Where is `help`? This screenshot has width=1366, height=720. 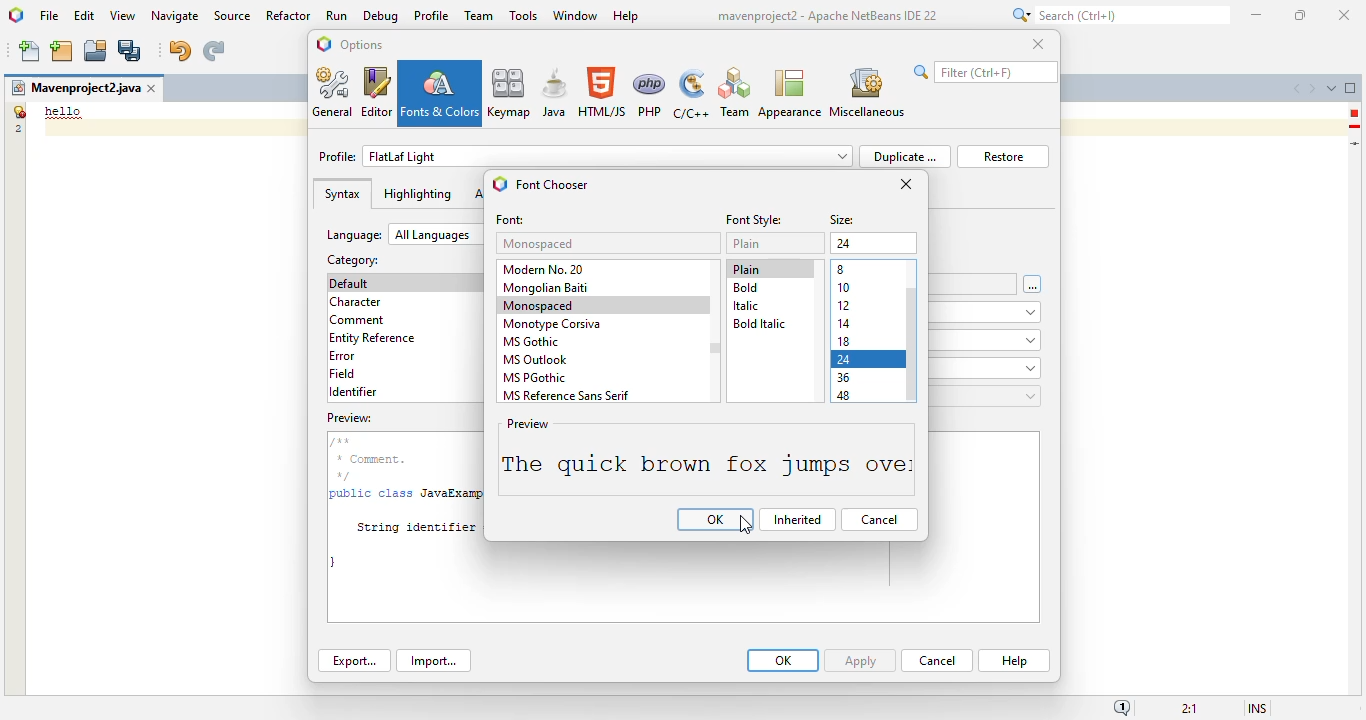 help is located at coordinates (1015, 661).